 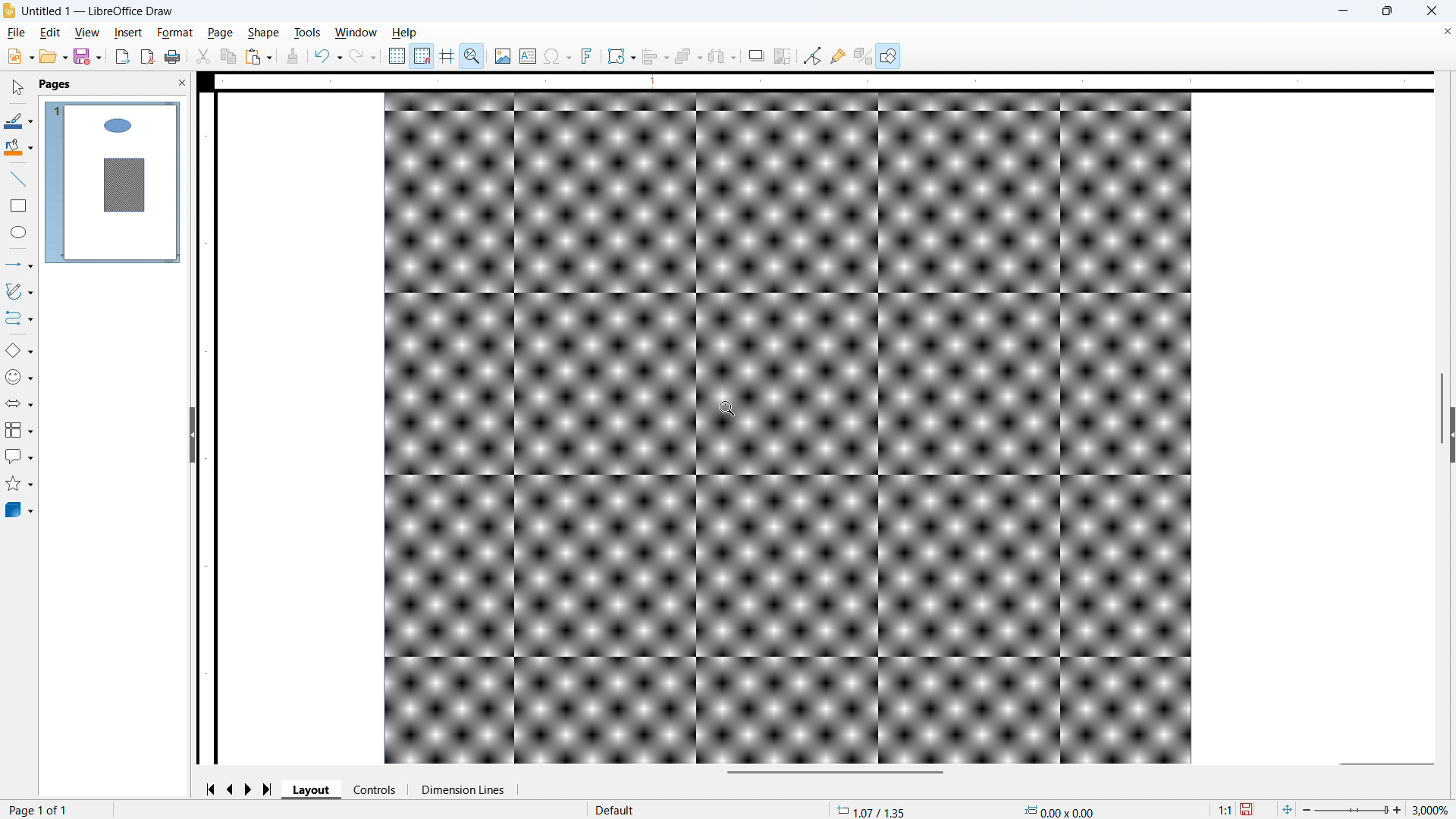 What do you see at coordinates (19, 121) in the screenshot?
I see `Line colour ` at bounding box center [19, 121].